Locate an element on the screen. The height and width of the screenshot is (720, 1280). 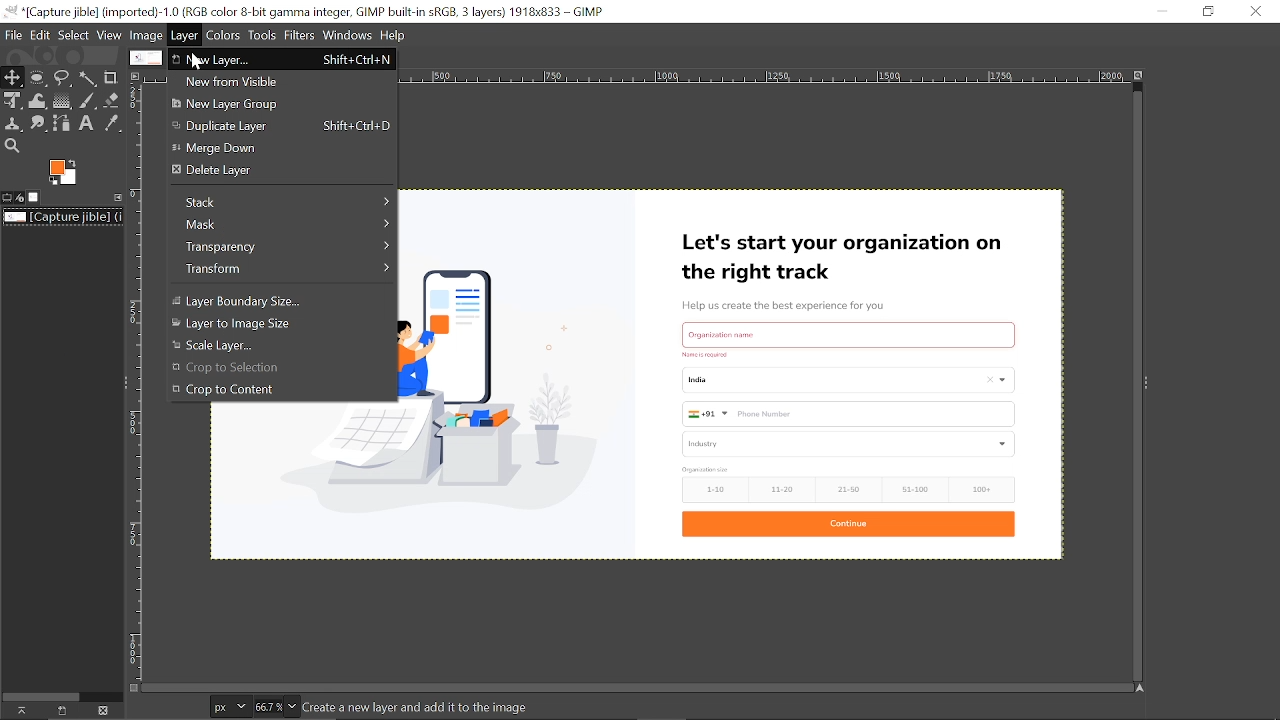
Navigate the image display is located at coordinates (1142, 689).